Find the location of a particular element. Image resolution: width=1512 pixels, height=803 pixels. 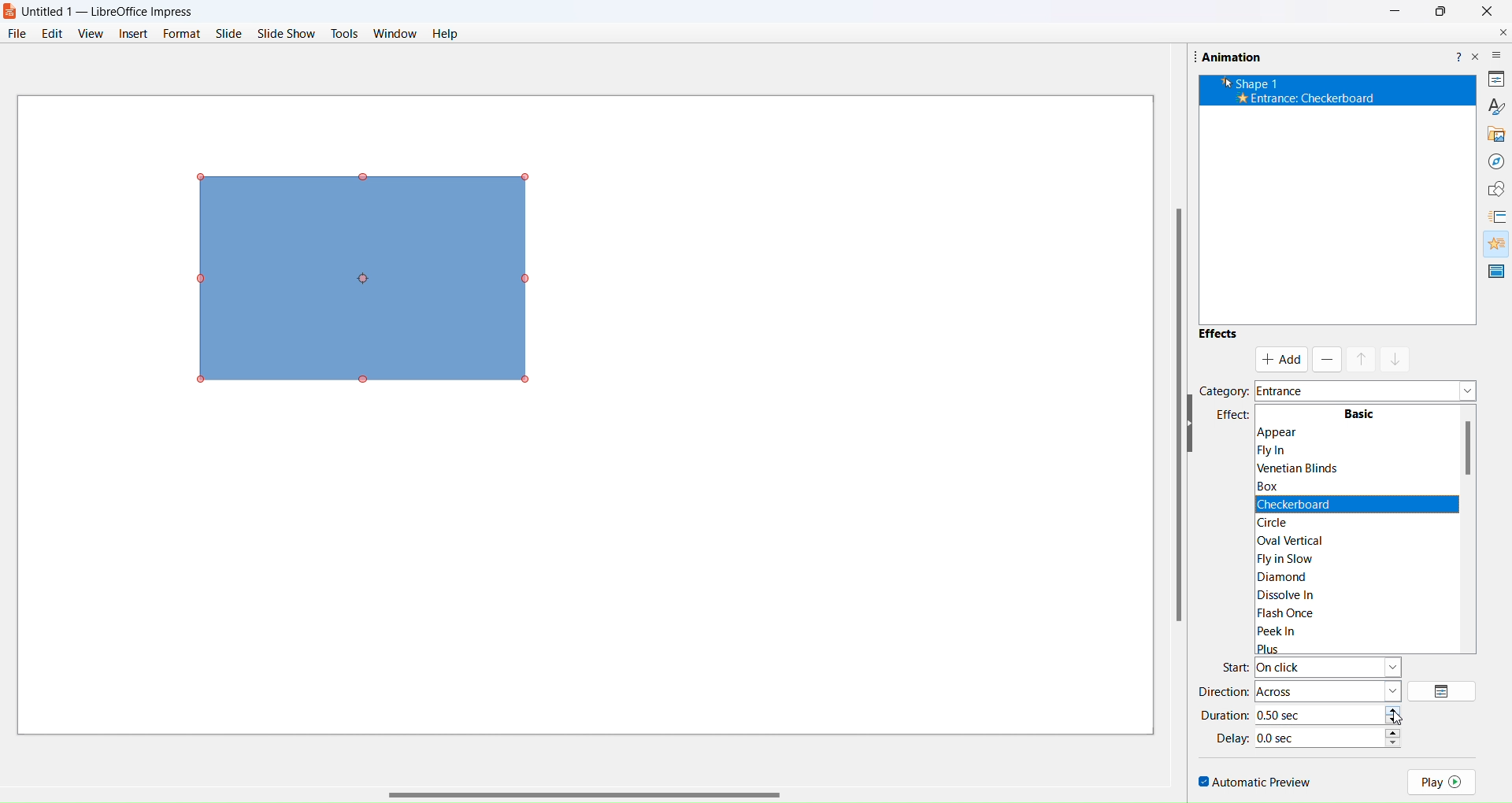

|Fly in Slow is located at coordinates (1301, 557).